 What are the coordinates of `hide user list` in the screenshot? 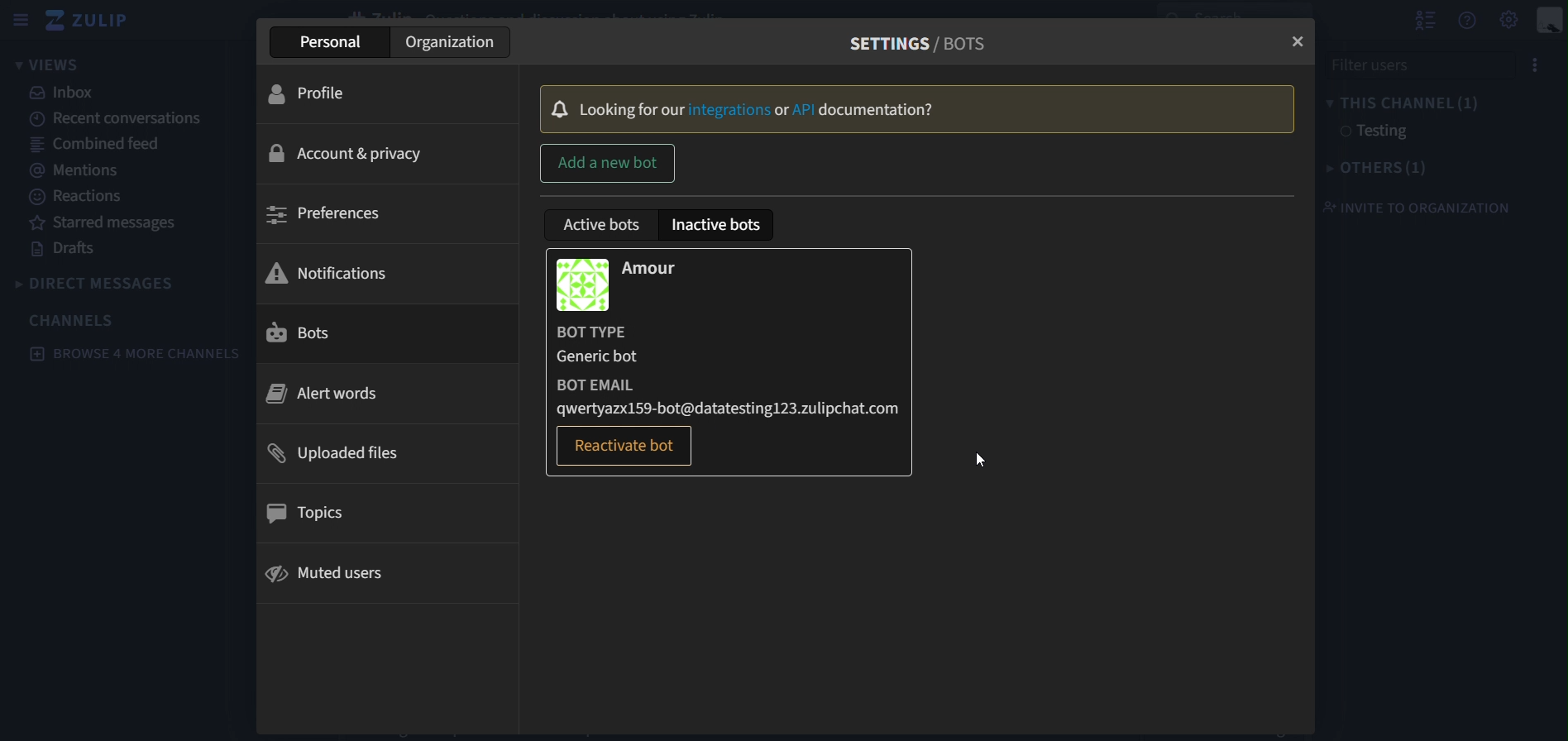 It's located at (1425, 18).